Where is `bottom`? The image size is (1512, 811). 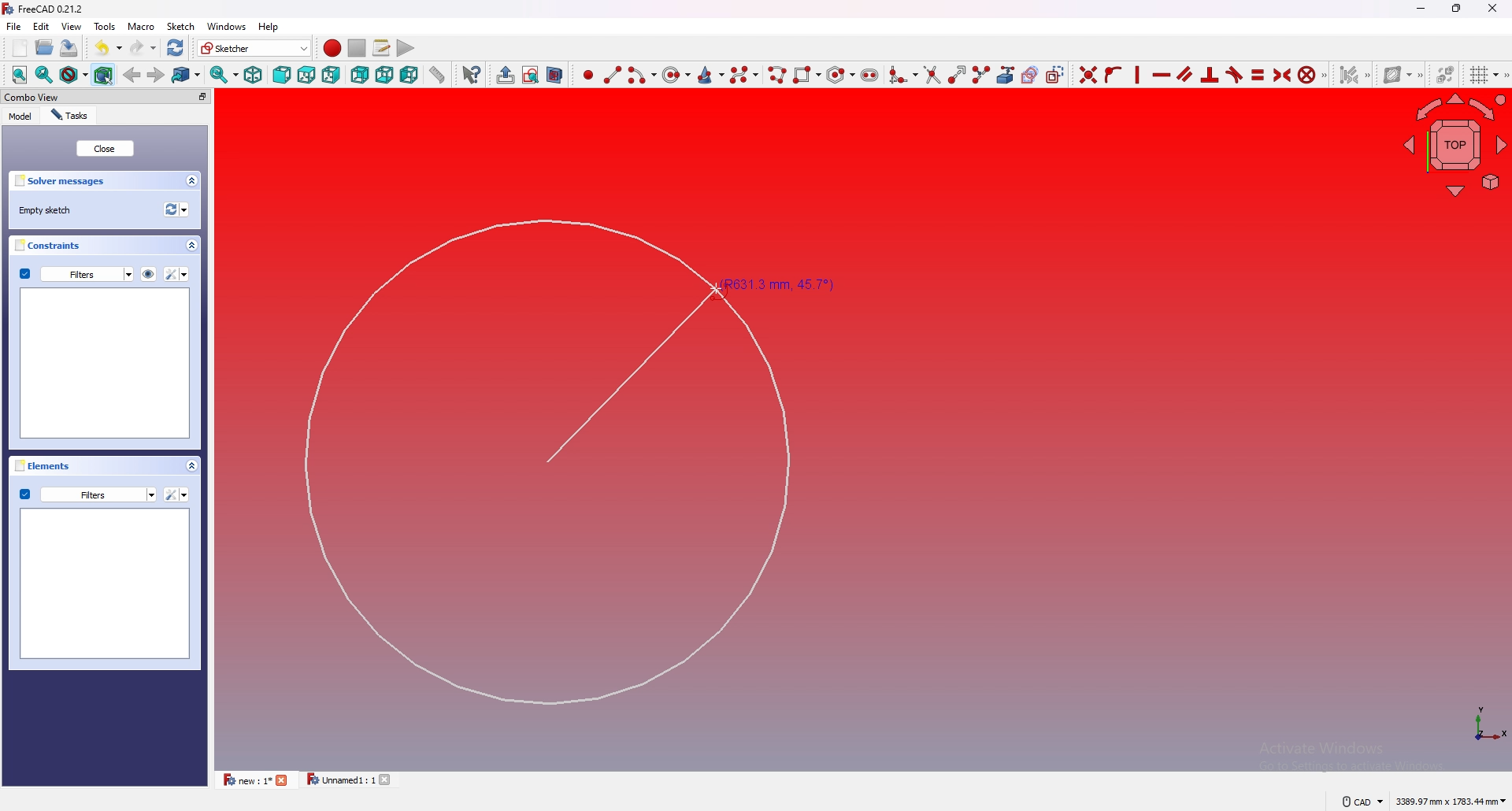
bottom is located at coordinates (384, 74).